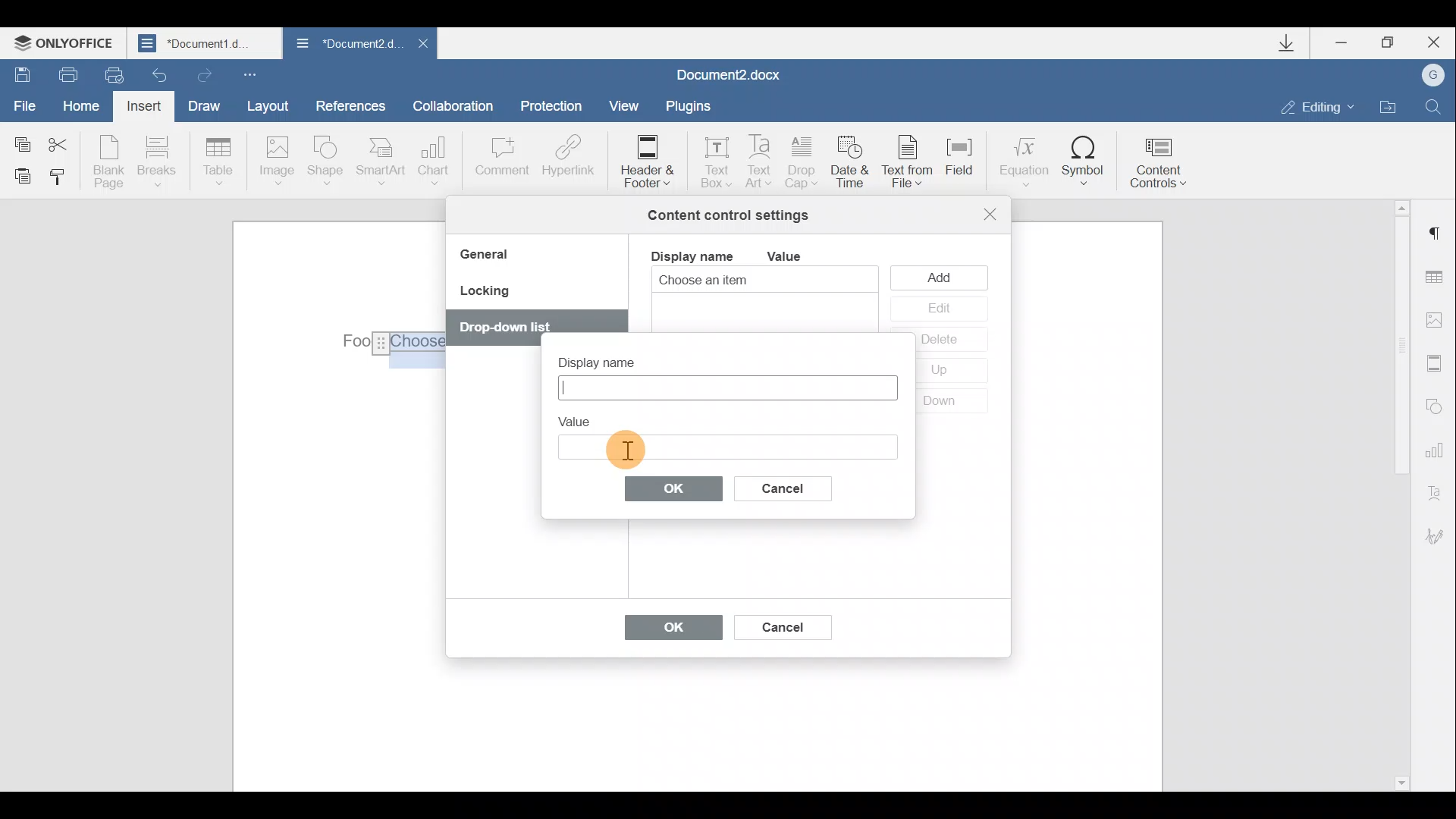 This screenshot has width=1456, height=819. What do you see at coordinates (381, 160) in the screenshot?
I see `SmartArt` at bounding box center [381, 160].